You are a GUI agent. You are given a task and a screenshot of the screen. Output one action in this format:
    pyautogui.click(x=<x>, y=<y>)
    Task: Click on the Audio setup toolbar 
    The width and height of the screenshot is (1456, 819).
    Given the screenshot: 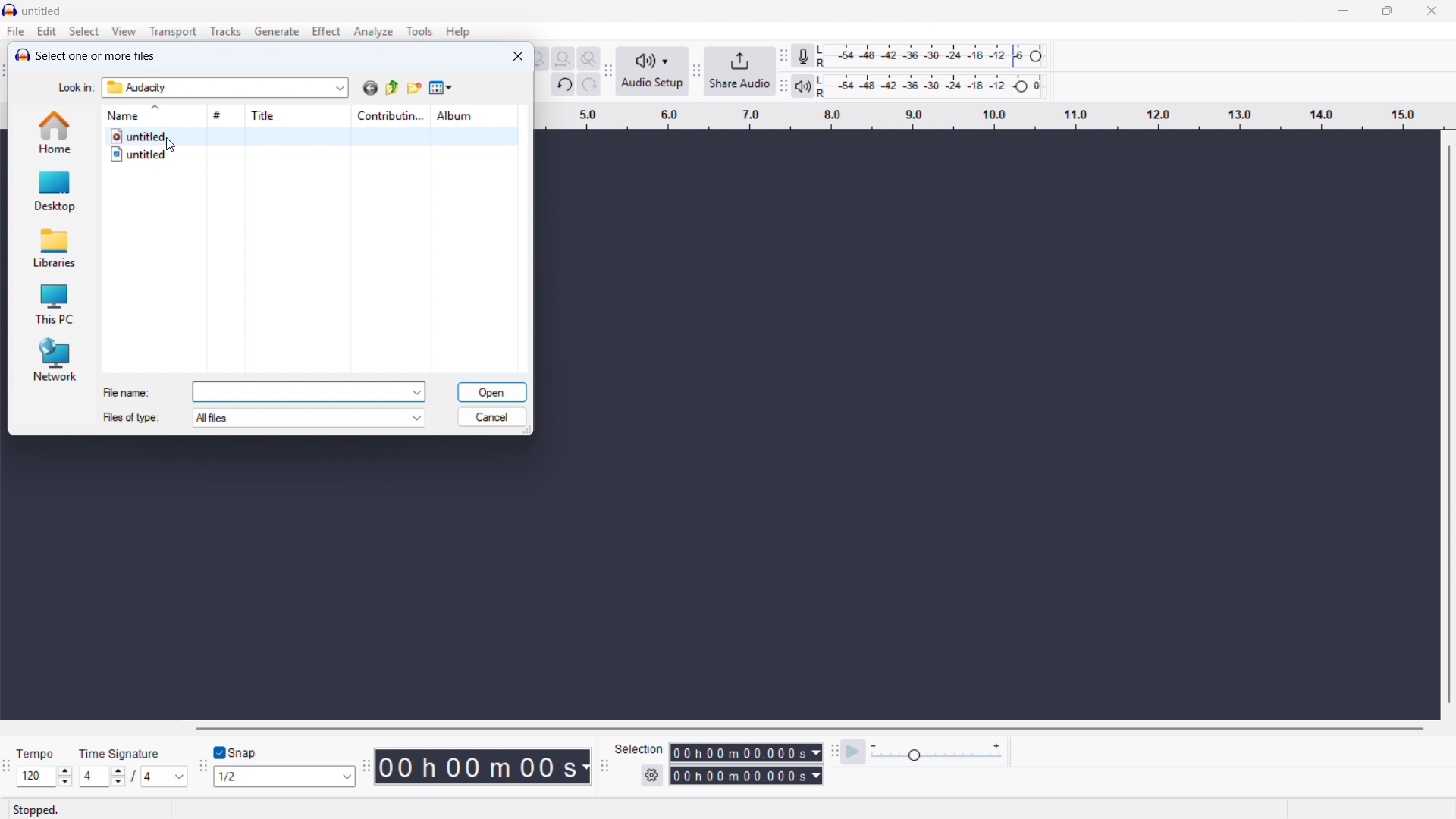 What is the action you would take?
    pyautogui.click(x=607, y=72)
    